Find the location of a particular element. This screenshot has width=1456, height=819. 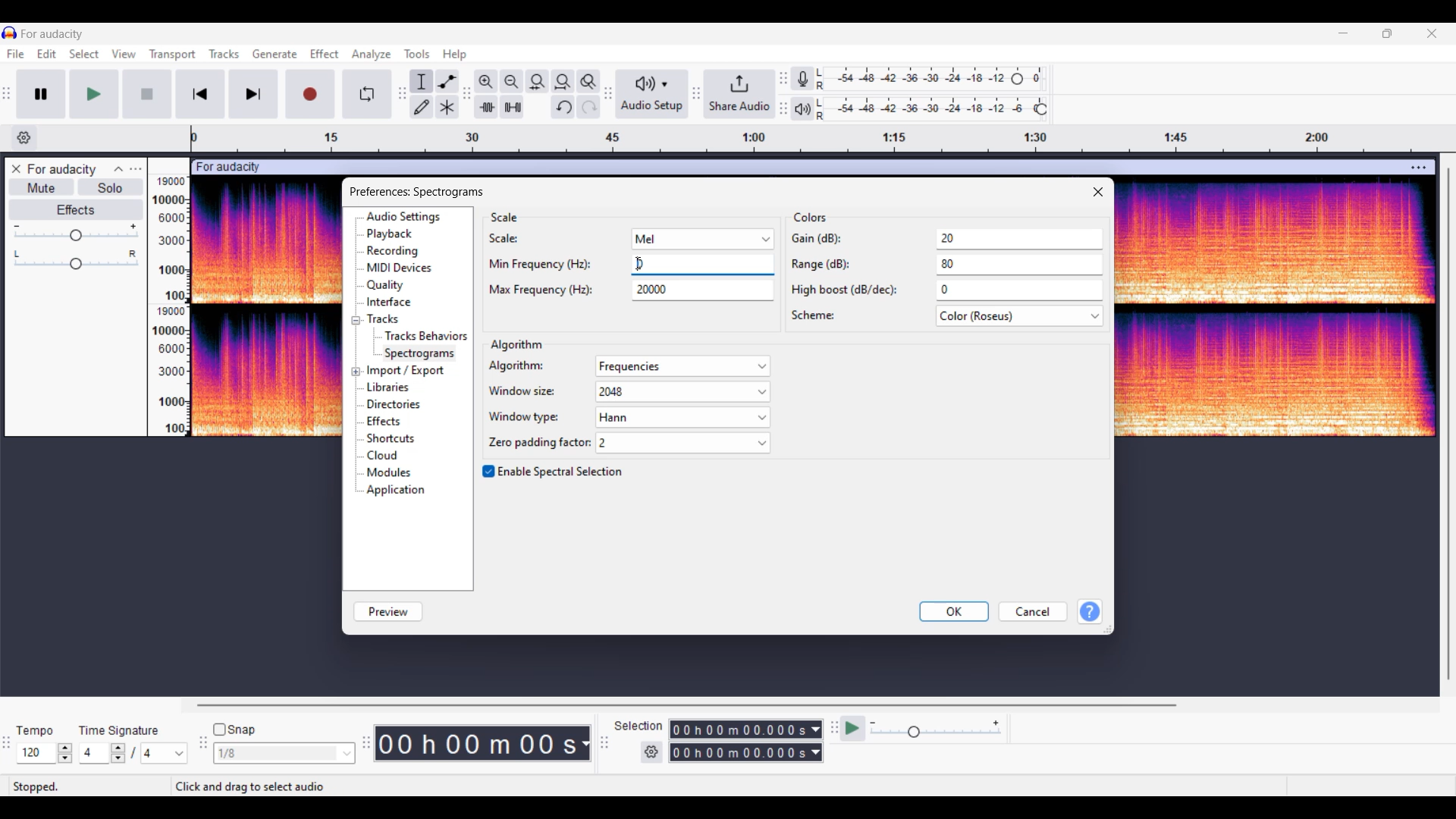

interface is located at coordinates (394, 303).